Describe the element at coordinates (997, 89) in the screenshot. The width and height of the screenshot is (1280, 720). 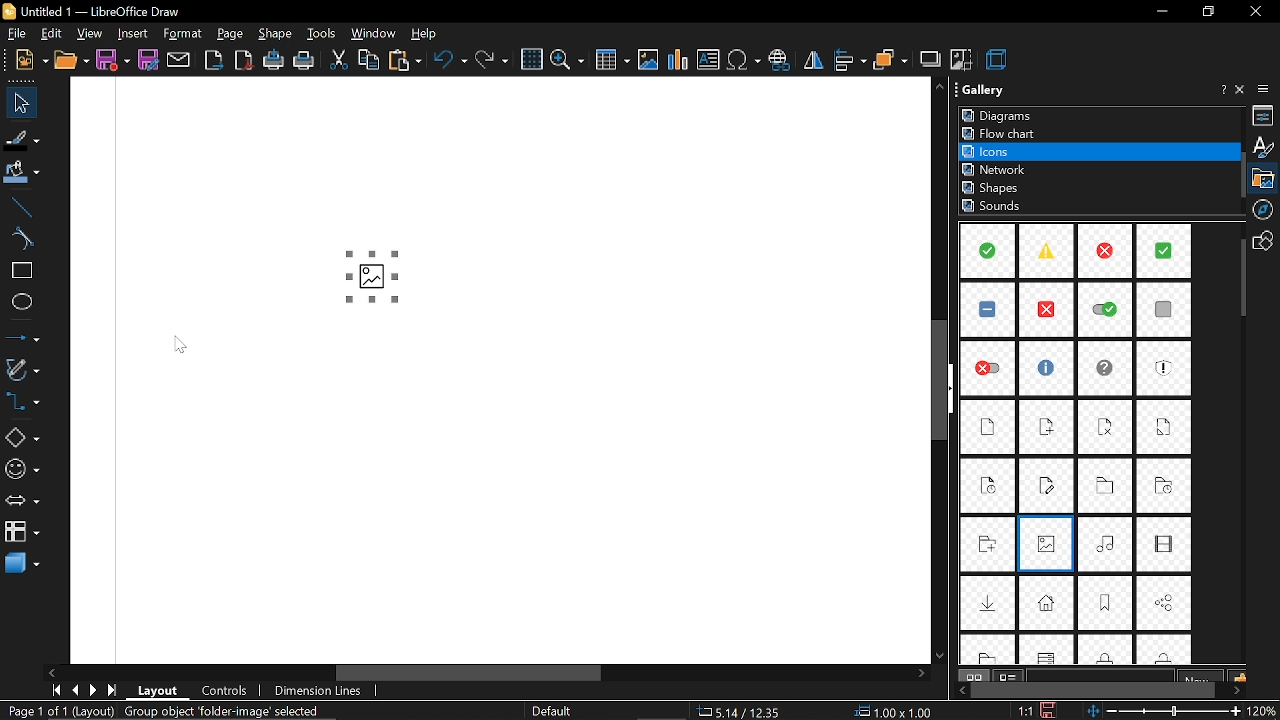
I see `Gallery` at that location.